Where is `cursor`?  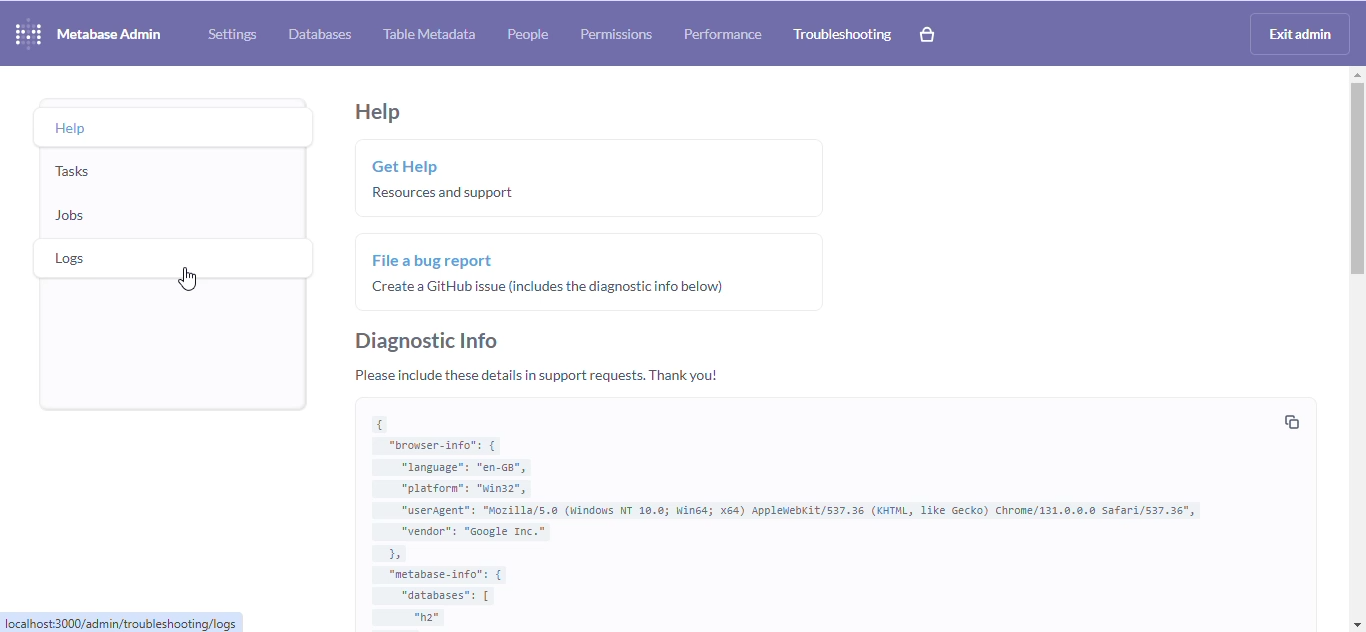
cursor is located at coordinates (187, 279).